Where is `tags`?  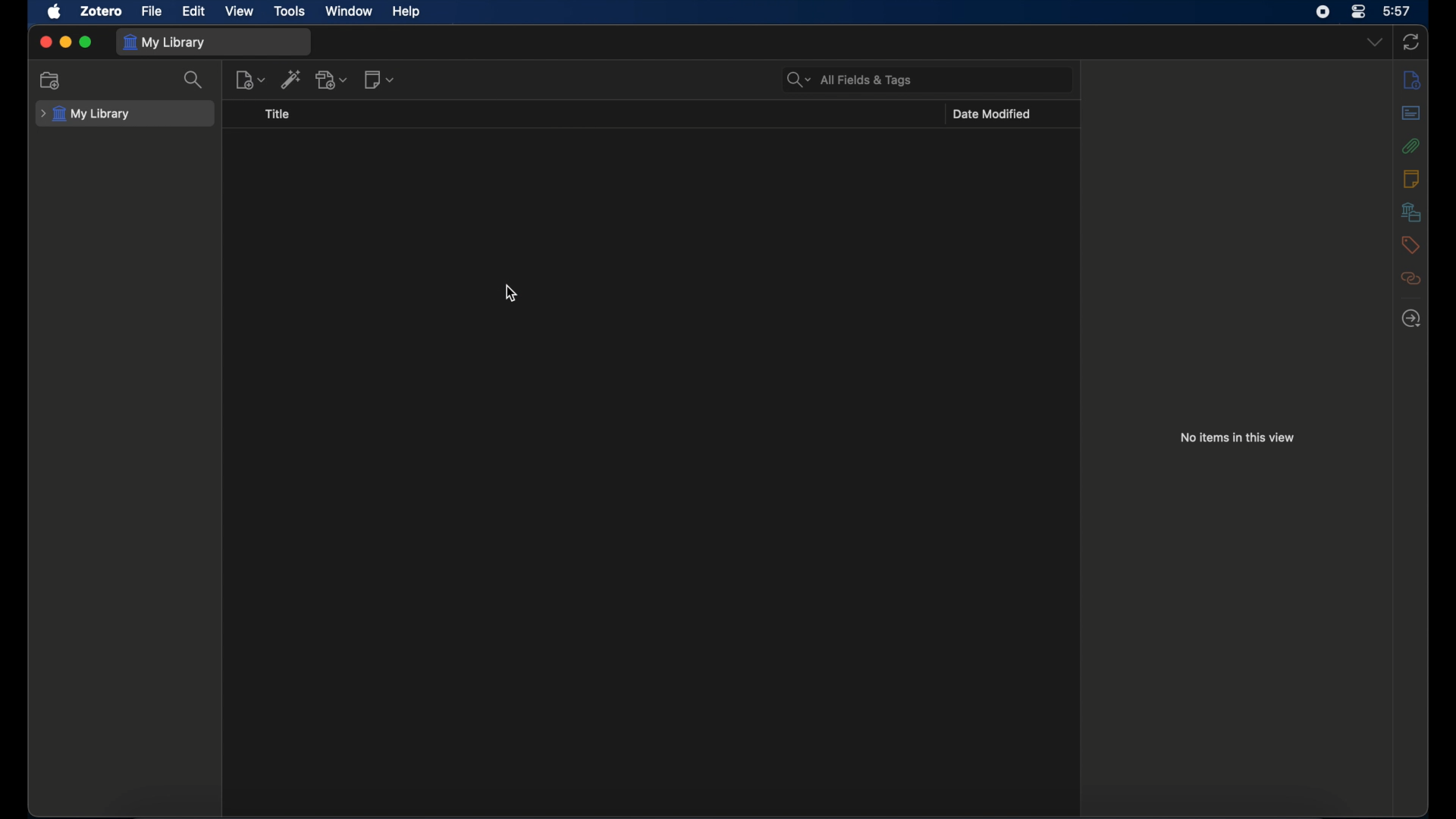 tags is located at coordinates (1409, 244).